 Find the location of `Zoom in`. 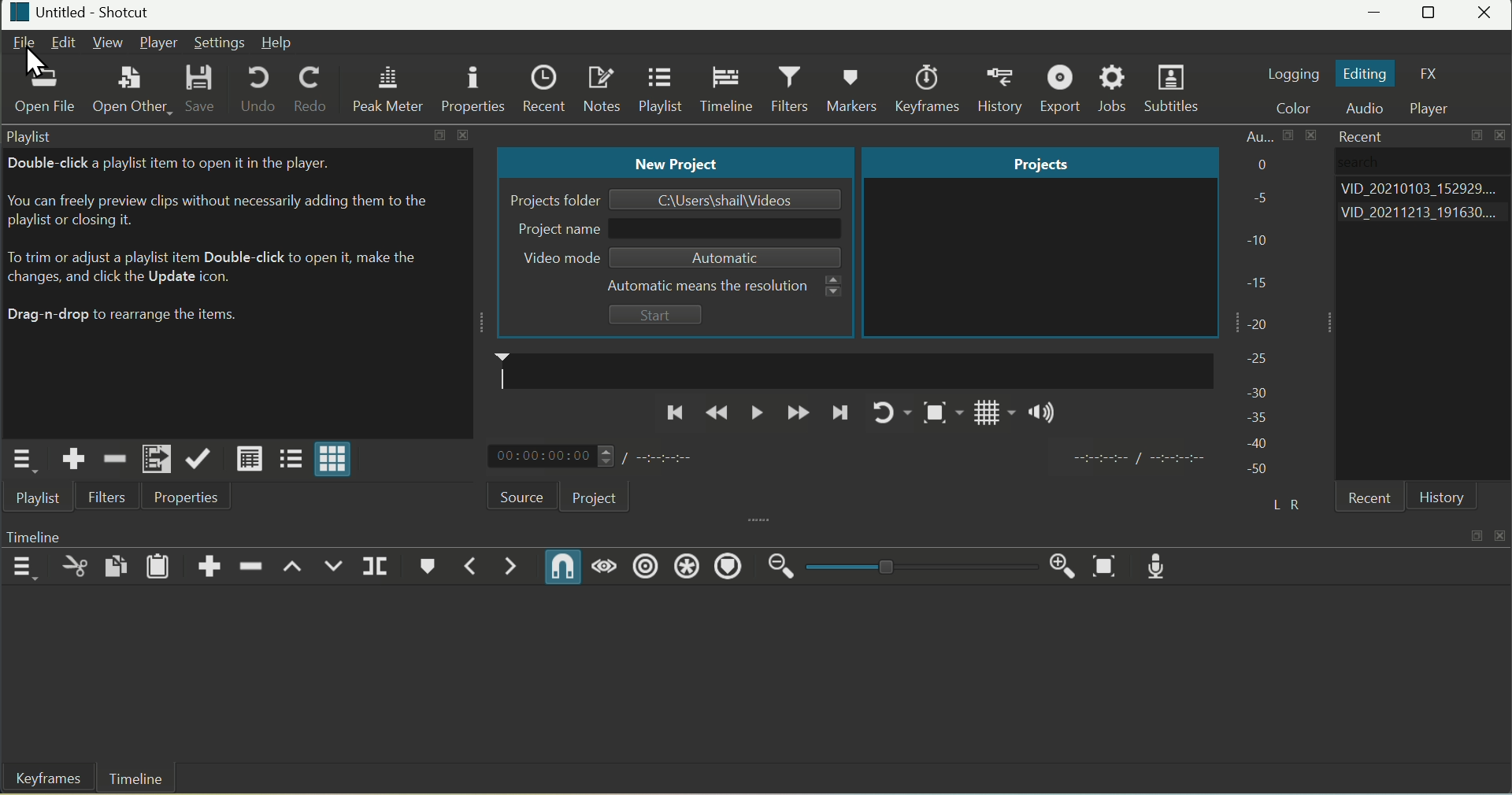

Zoom in is located at coordinates (1058, 563).